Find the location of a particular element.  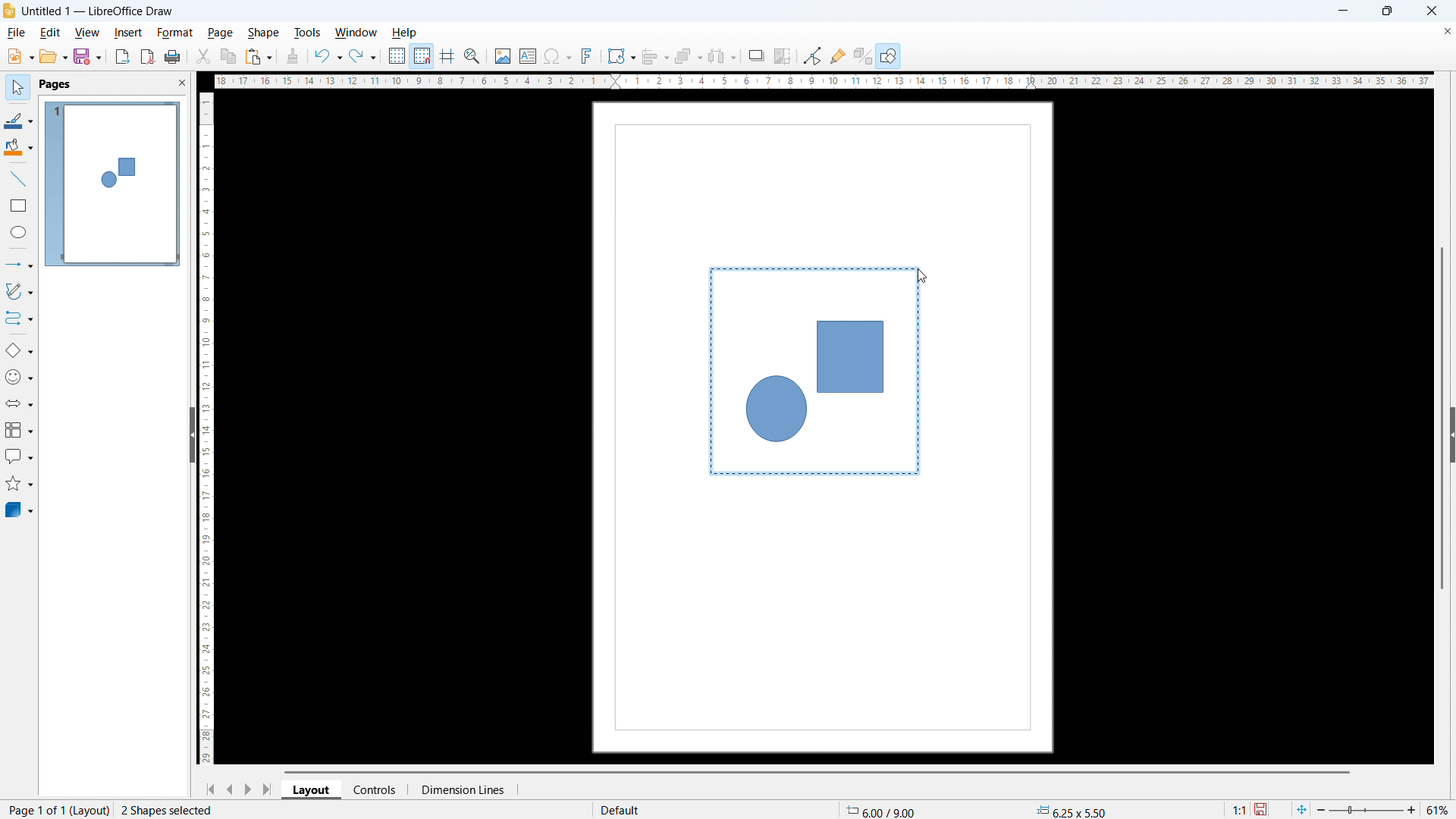

save is located at coordinates (88, 57).